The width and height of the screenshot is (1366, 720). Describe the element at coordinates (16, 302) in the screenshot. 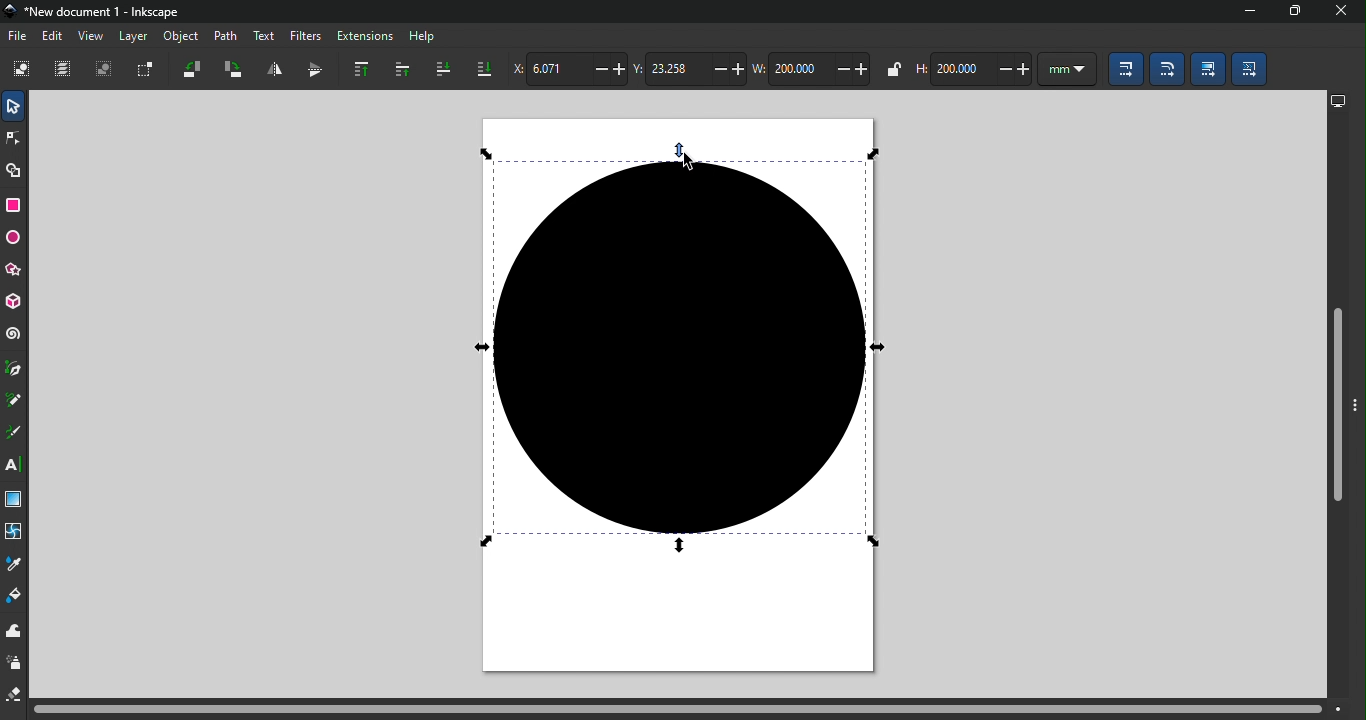

I see `3D box tool` at that location.